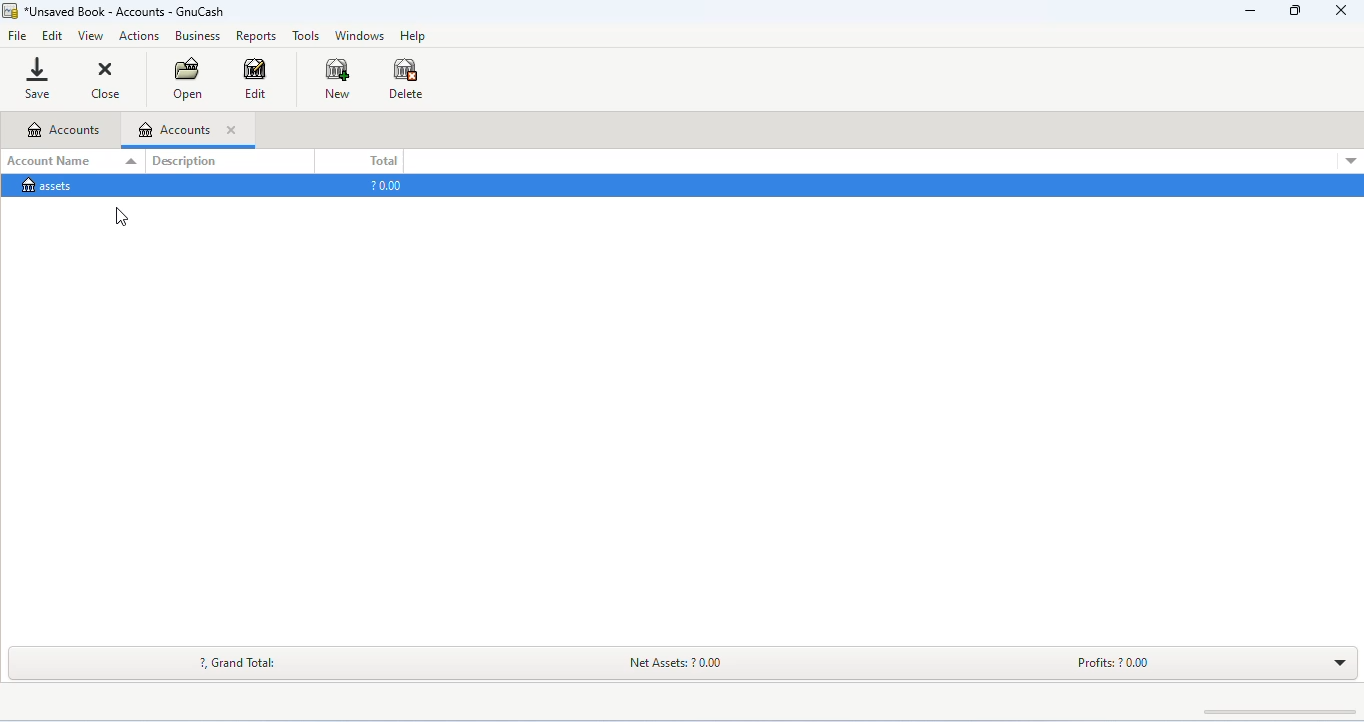  Describe the element at coordinates (682, 184) in the screenshot. I see `assets` at that location.